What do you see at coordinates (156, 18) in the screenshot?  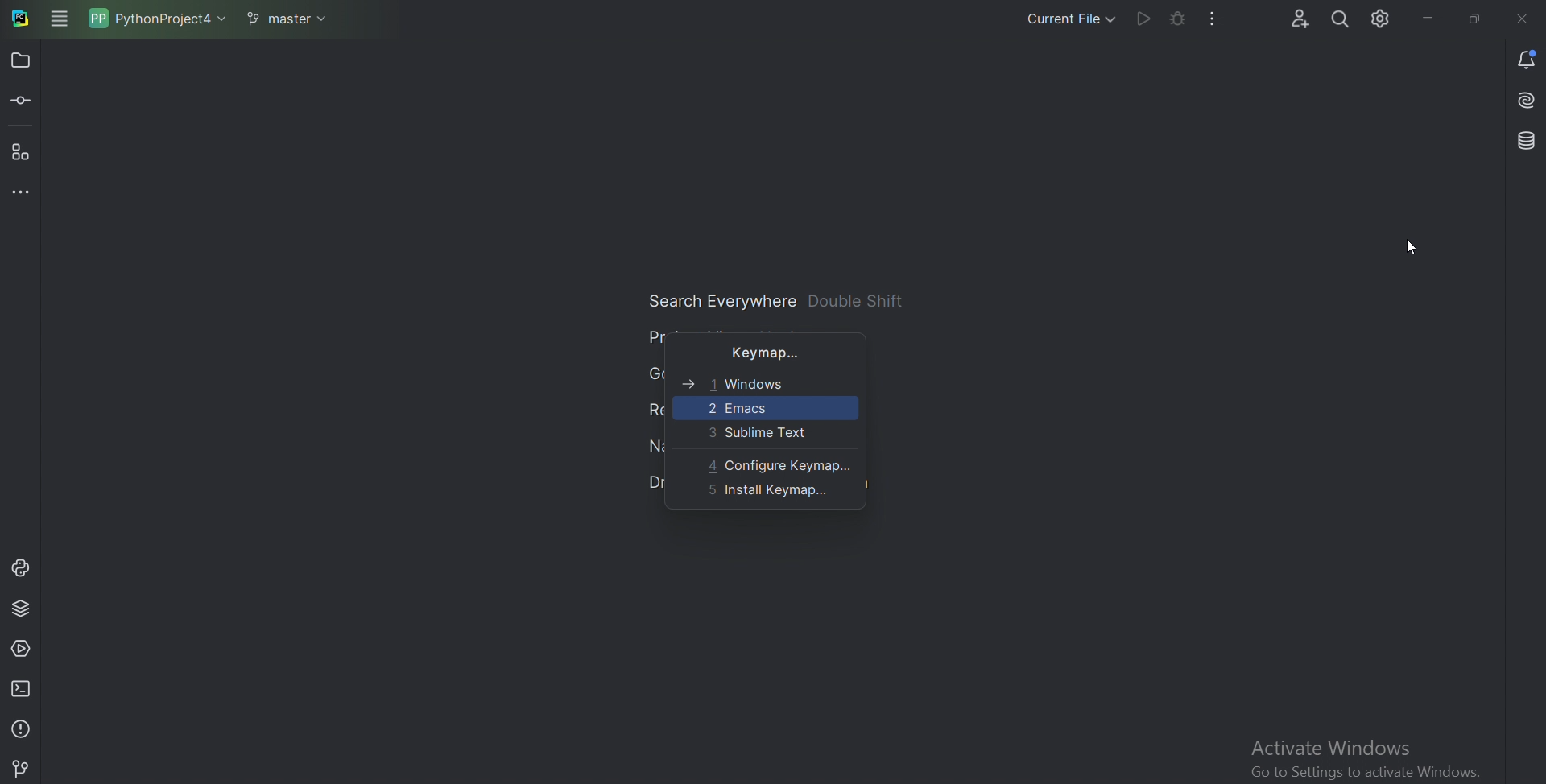 I see `PythonProject4` at bounding box center [156, 18].